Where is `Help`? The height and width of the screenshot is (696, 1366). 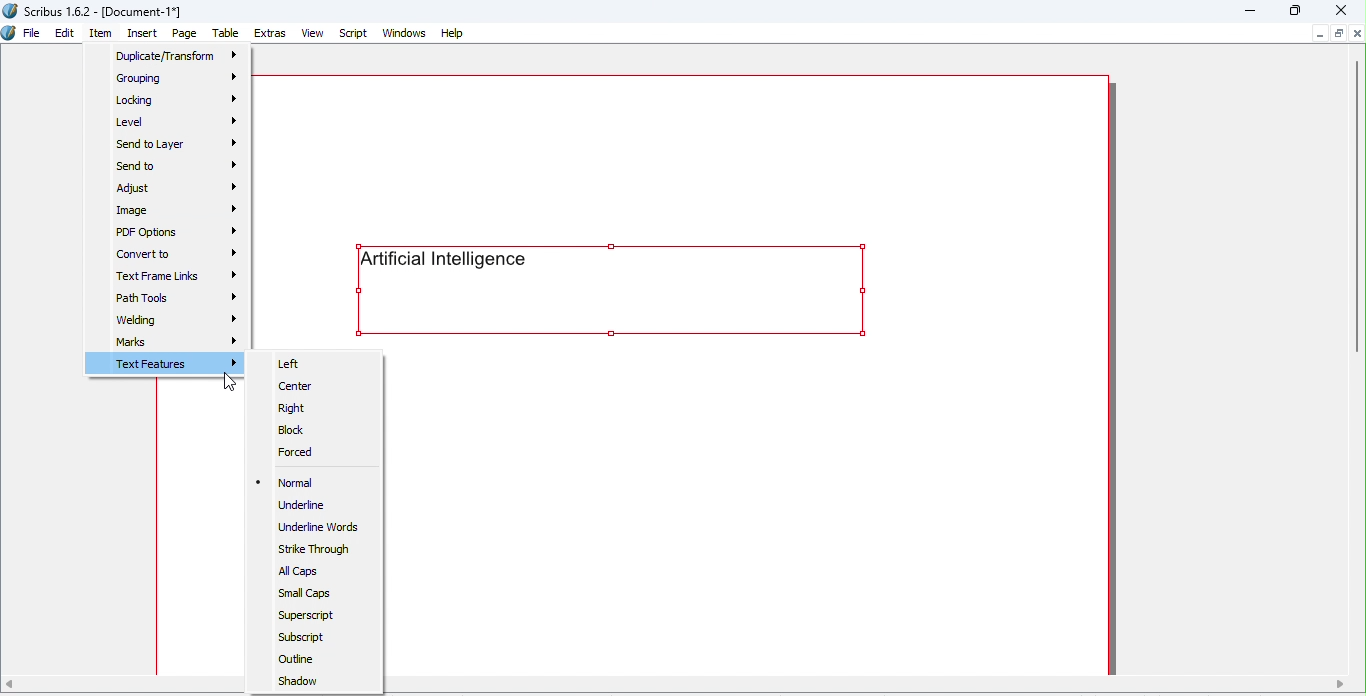 Help is located at coordinates (452, 32).